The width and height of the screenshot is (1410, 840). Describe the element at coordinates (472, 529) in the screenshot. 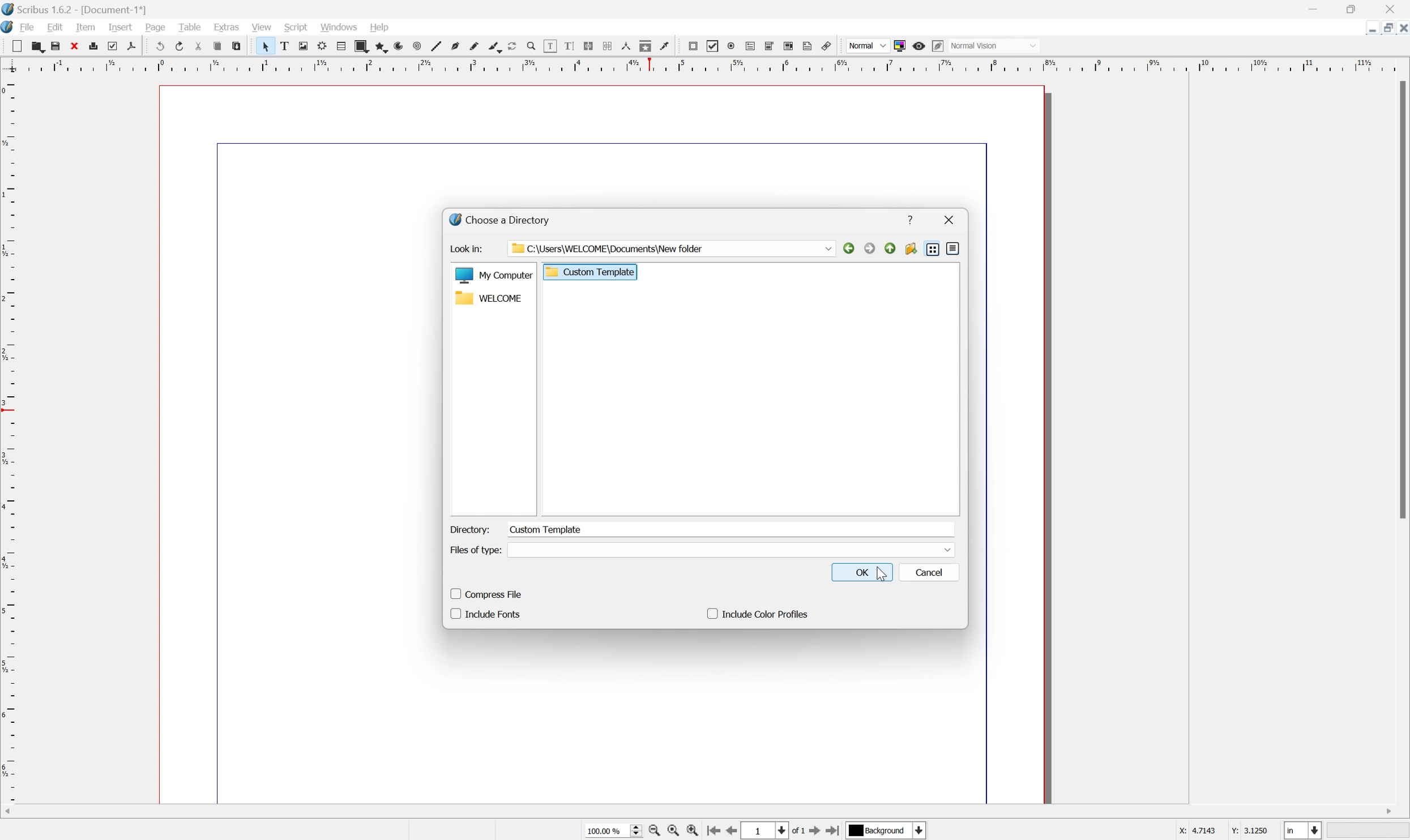

I see `directory:` at that location.